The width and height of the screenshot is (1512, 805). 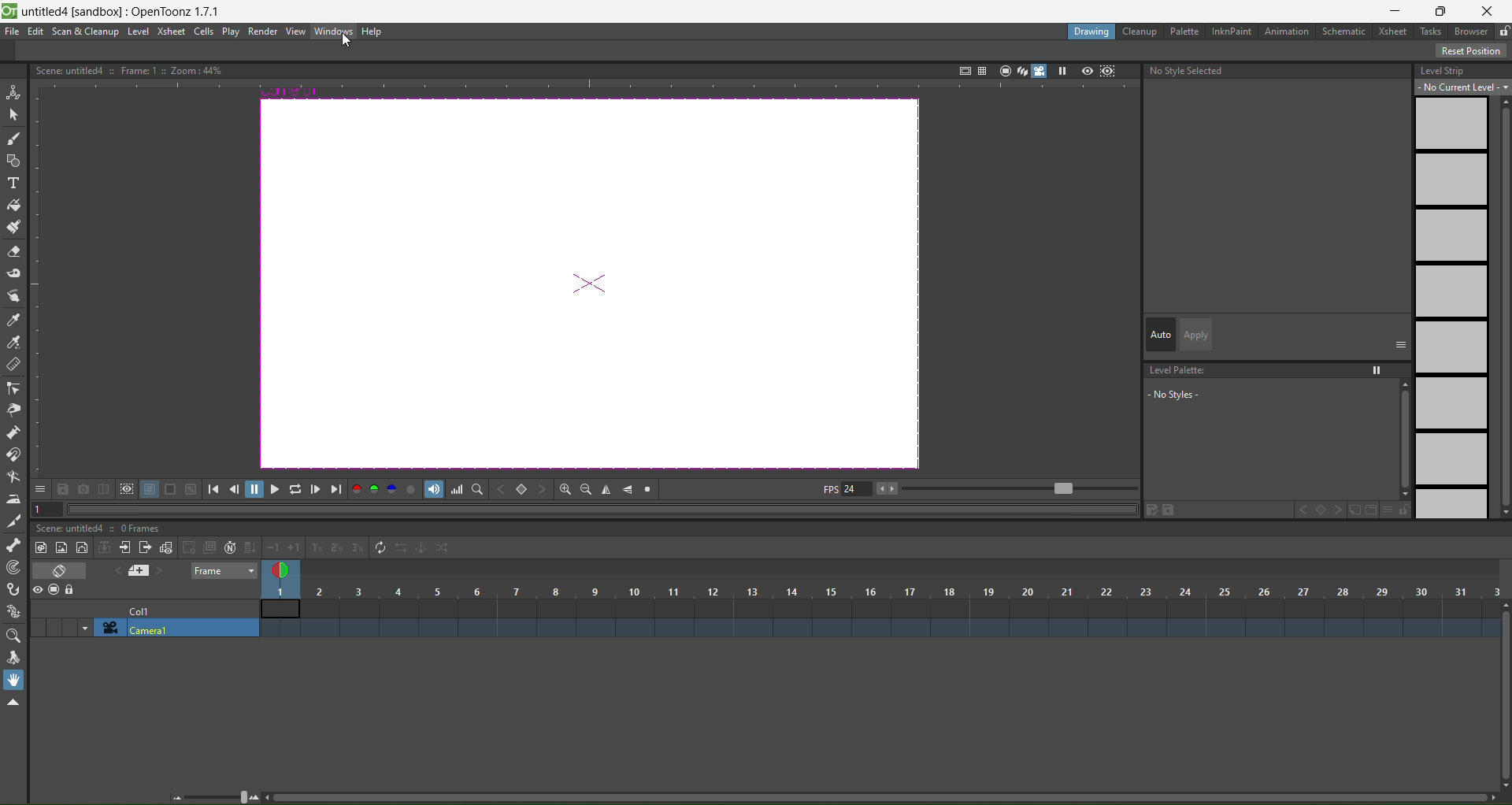 What do you see at coordinates (14, 273) in the screenshot?
I see `tape tool` at bounding box center [14, 273].